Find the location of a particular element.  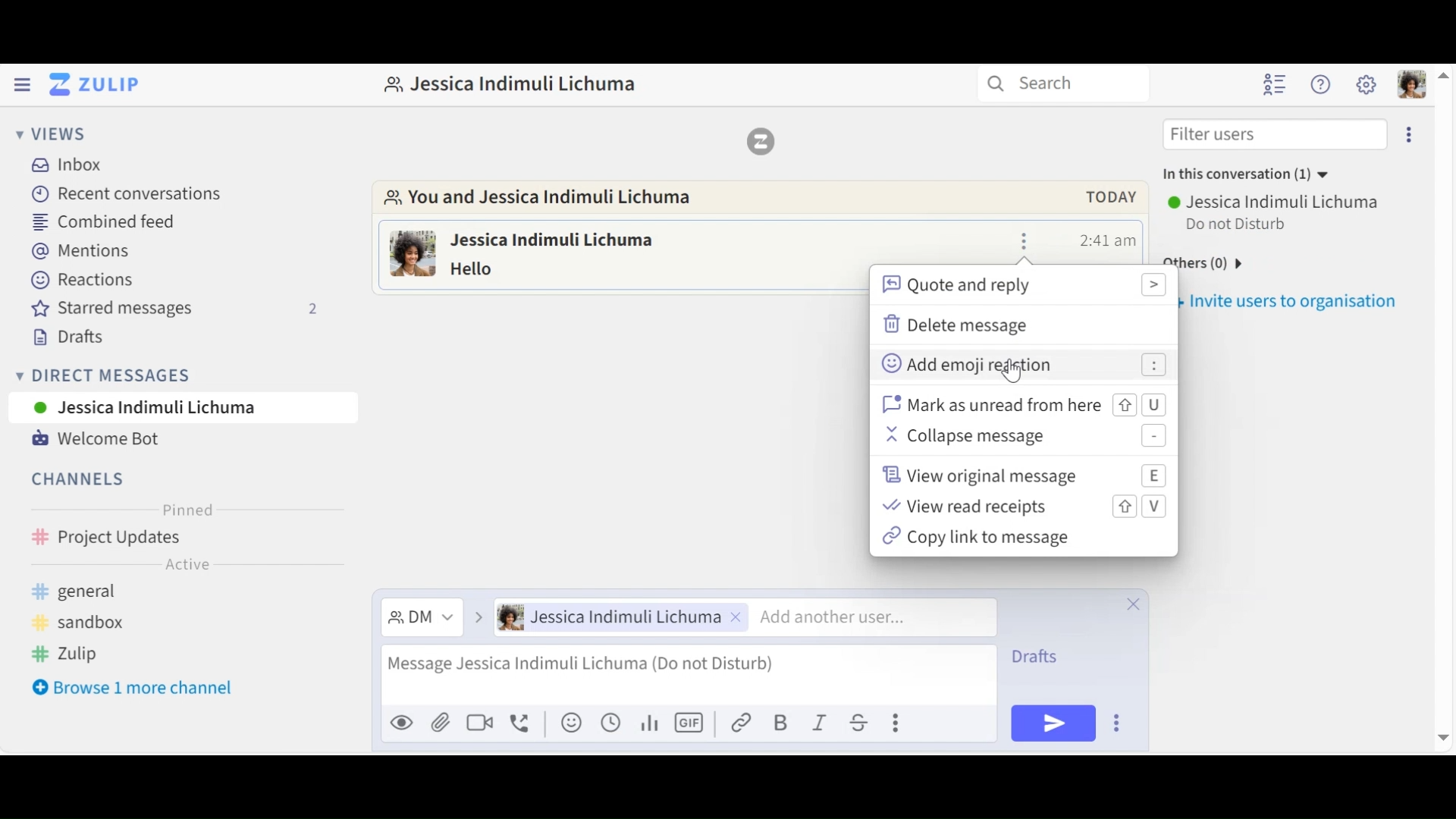

Close is located at coordinates (1134, 602).